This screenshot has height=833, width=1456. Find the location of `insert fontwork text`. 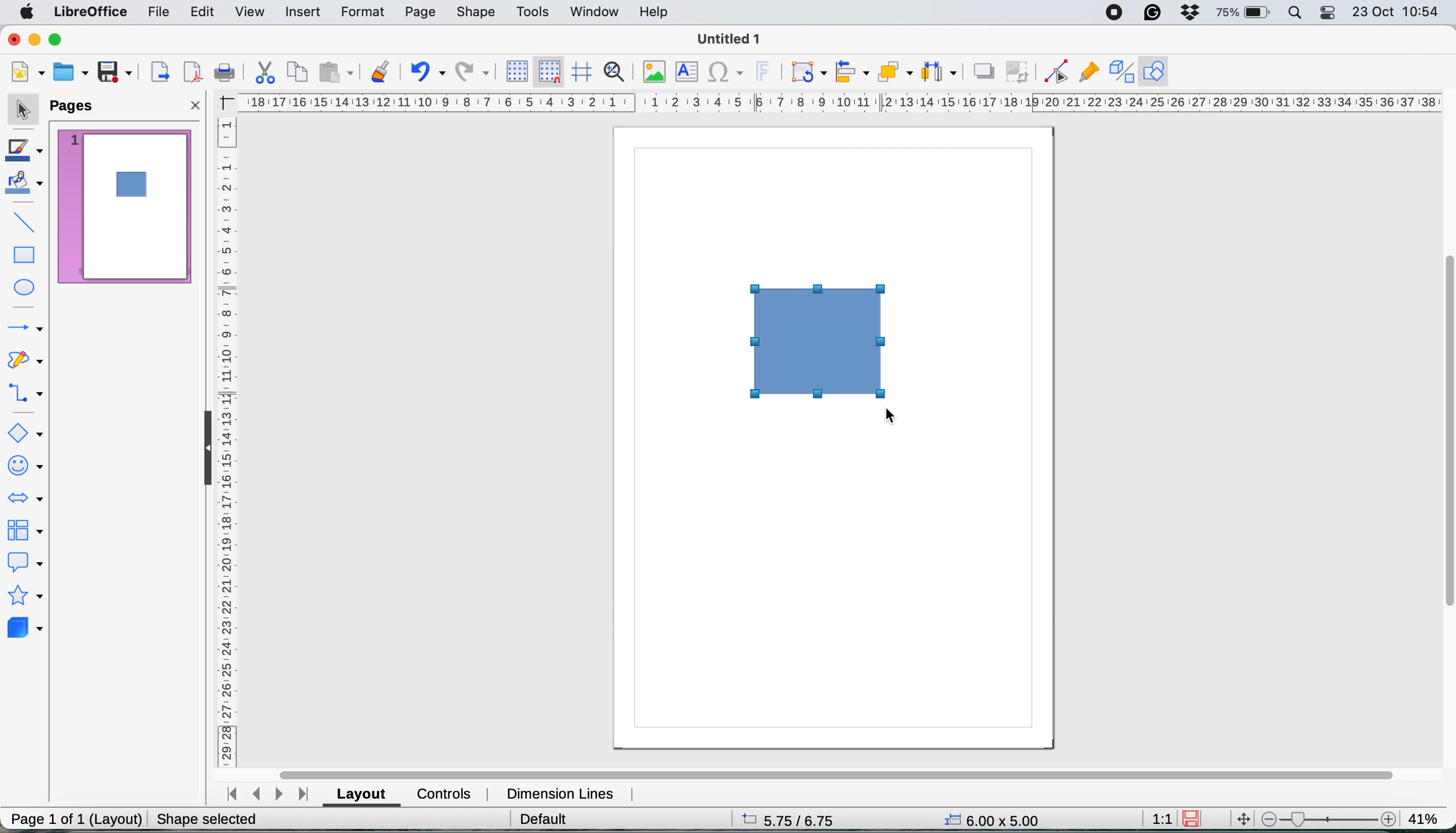

insert fontwork text is located at coordinates (767, 70).